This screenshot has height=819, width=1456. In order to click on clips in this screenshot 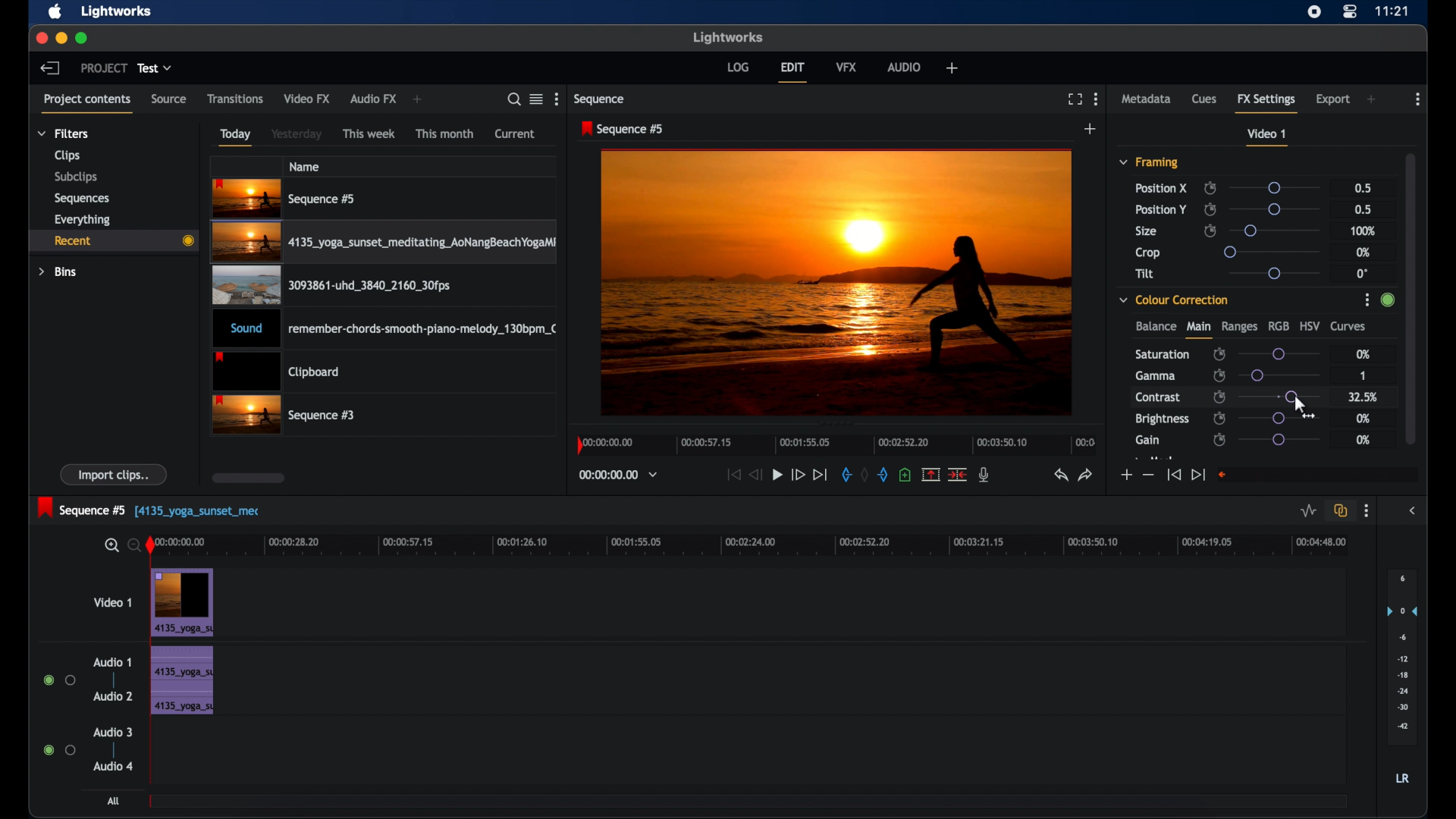, I will do `click(67, 156)`.